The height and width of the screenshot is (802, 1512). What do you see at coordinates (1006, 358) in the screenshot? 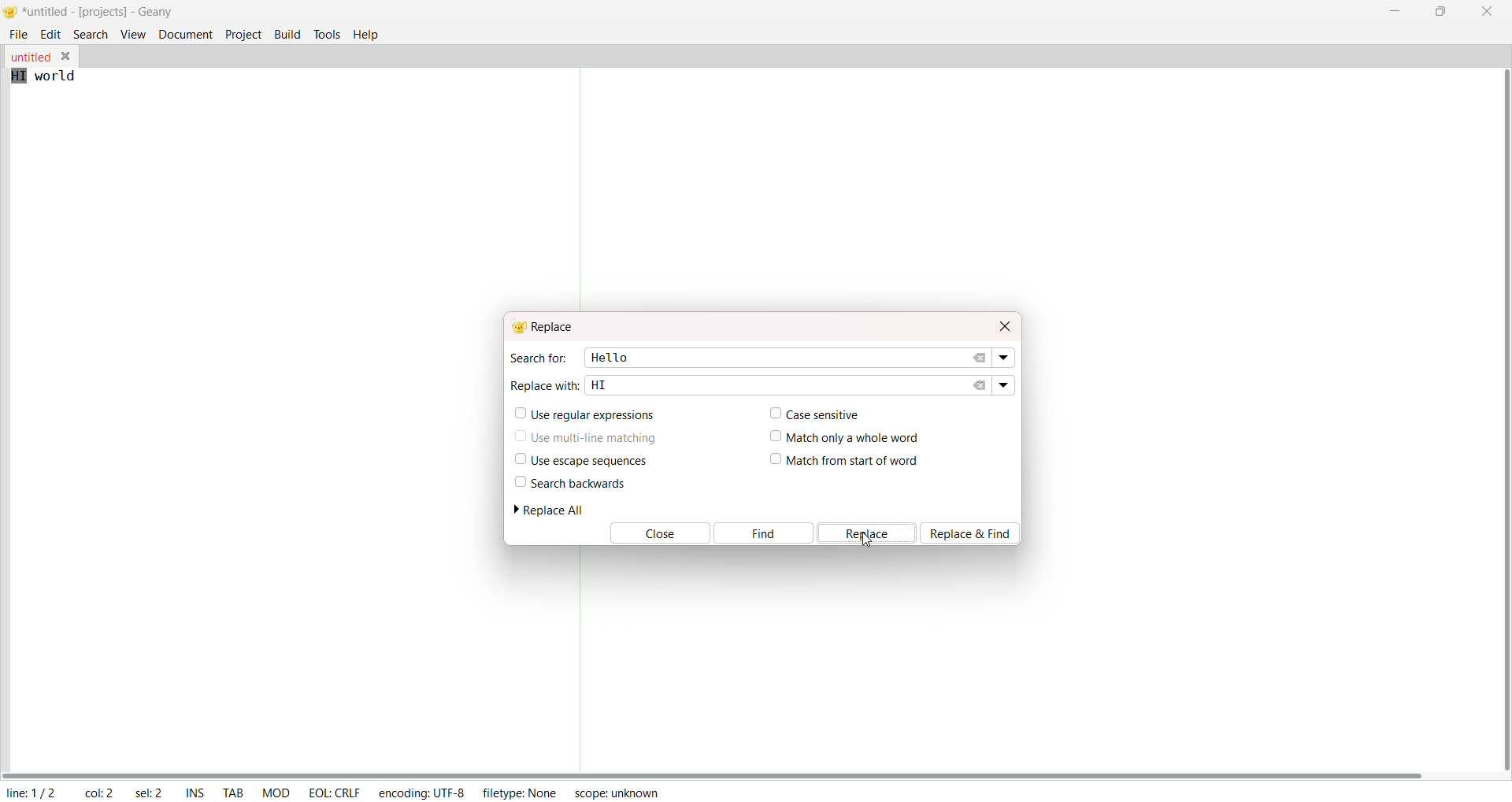
I see `search dropdown` at bounding box center [1006, 358].